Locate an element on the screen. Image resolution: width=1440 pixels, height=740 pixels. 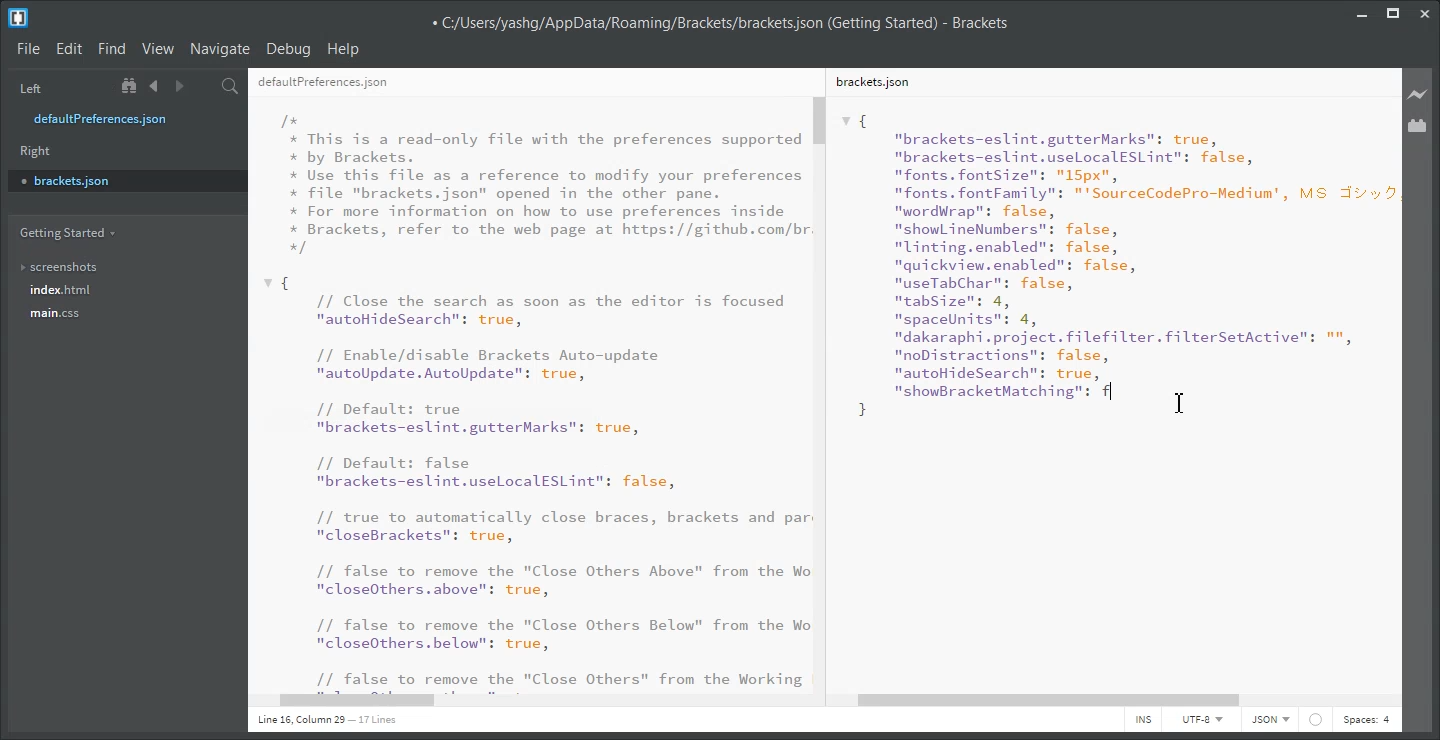
Find in files is located at coordinates (231, 86).